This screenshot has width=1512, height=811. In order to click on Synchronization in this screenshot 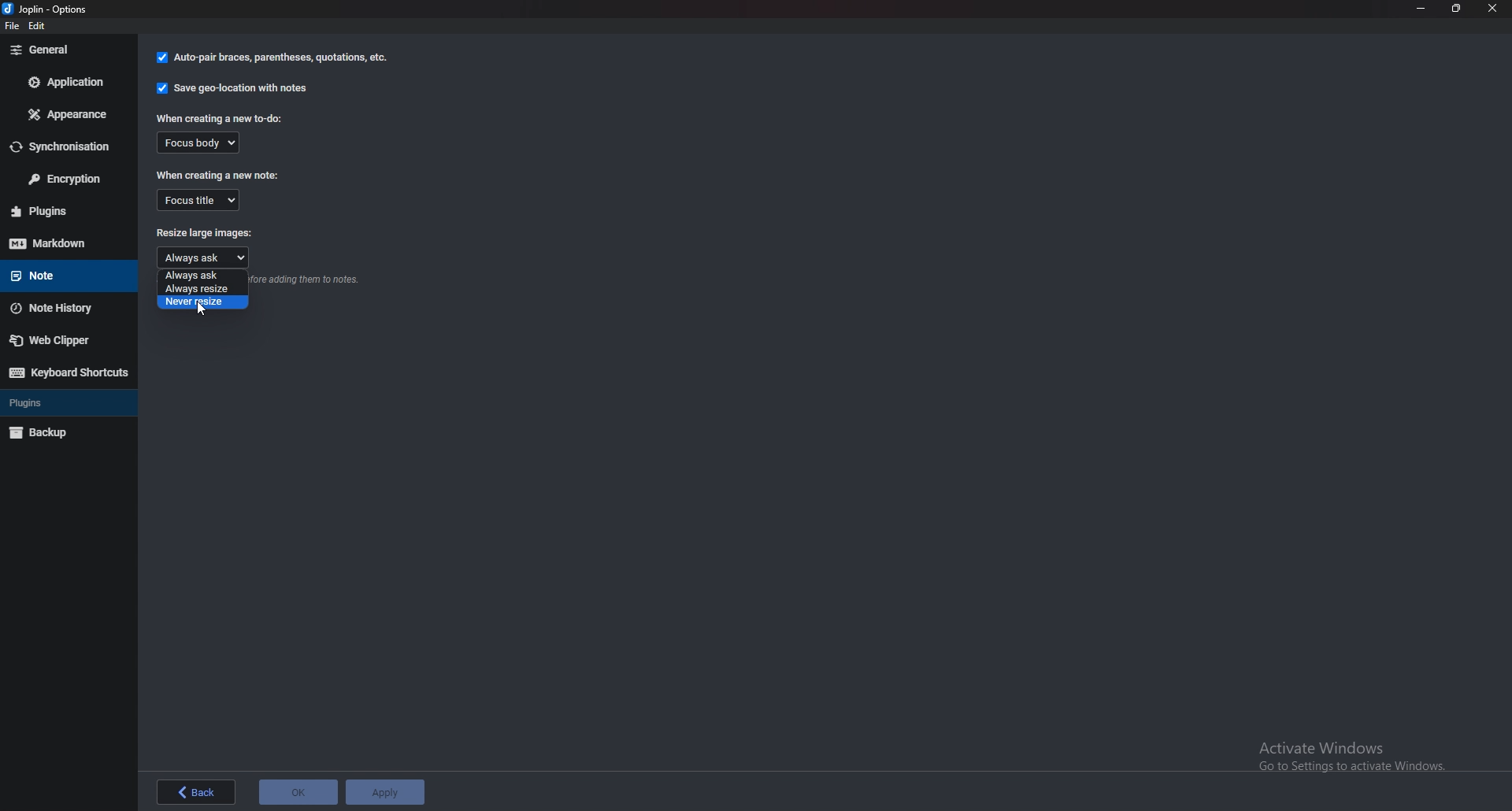, I will do `click(68, 146)`.